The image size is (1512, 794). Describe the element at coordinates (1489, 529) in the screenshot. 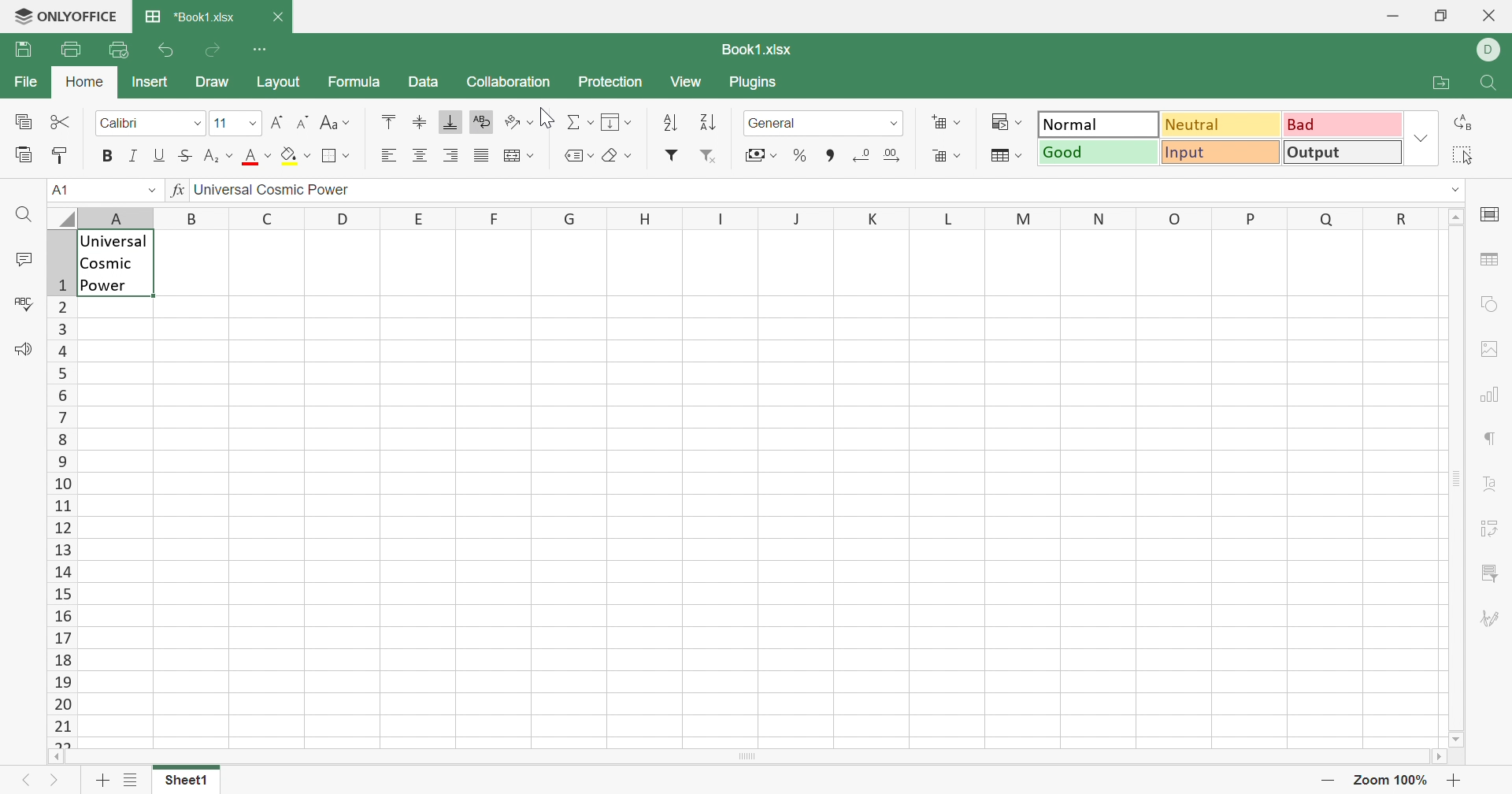

I see `Pivot Table settings` at that location.